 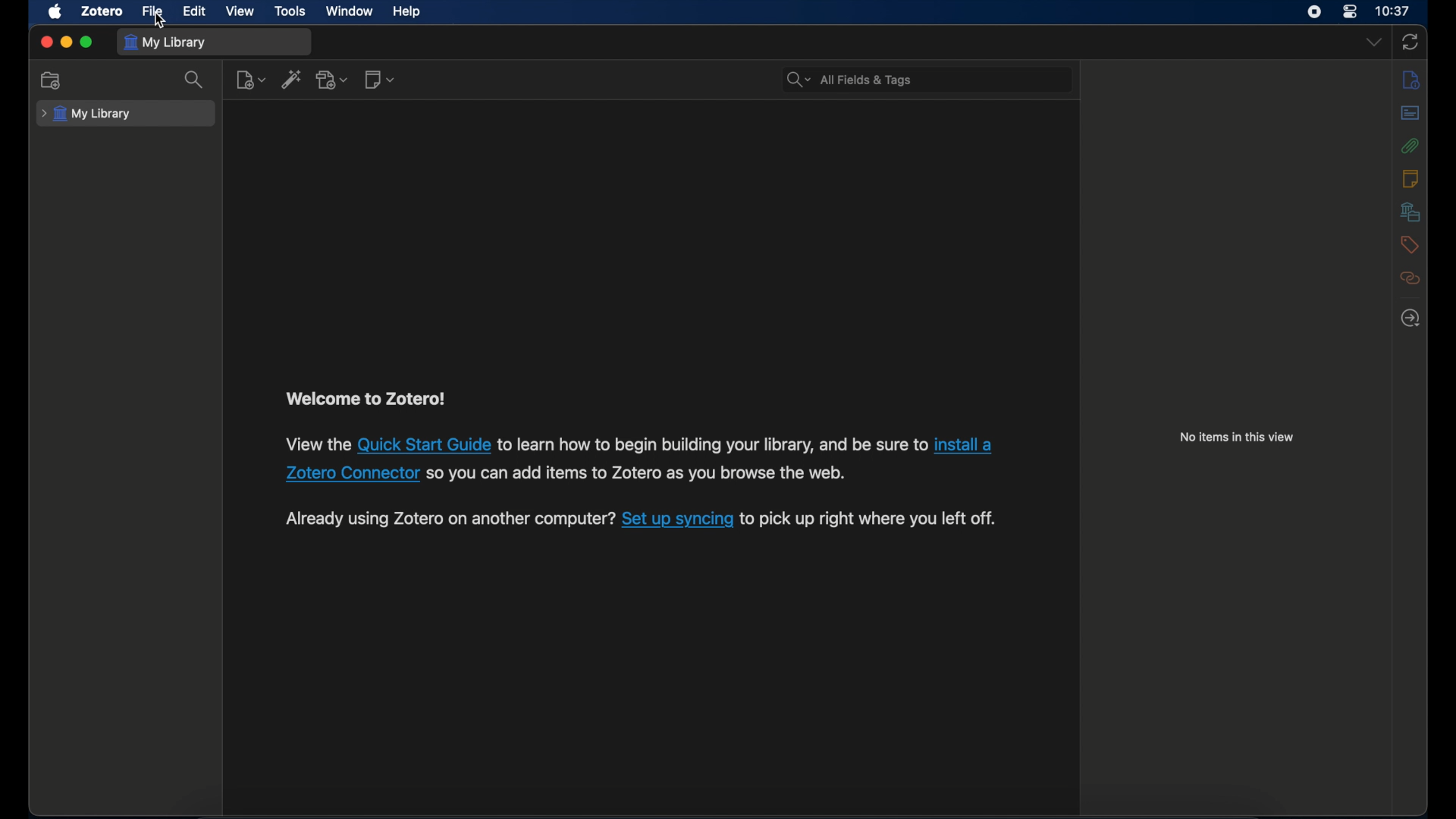 What do you see at coordinates (53, 81) in the screenshot?
I see `new collection` at bounding box center [53, 81].